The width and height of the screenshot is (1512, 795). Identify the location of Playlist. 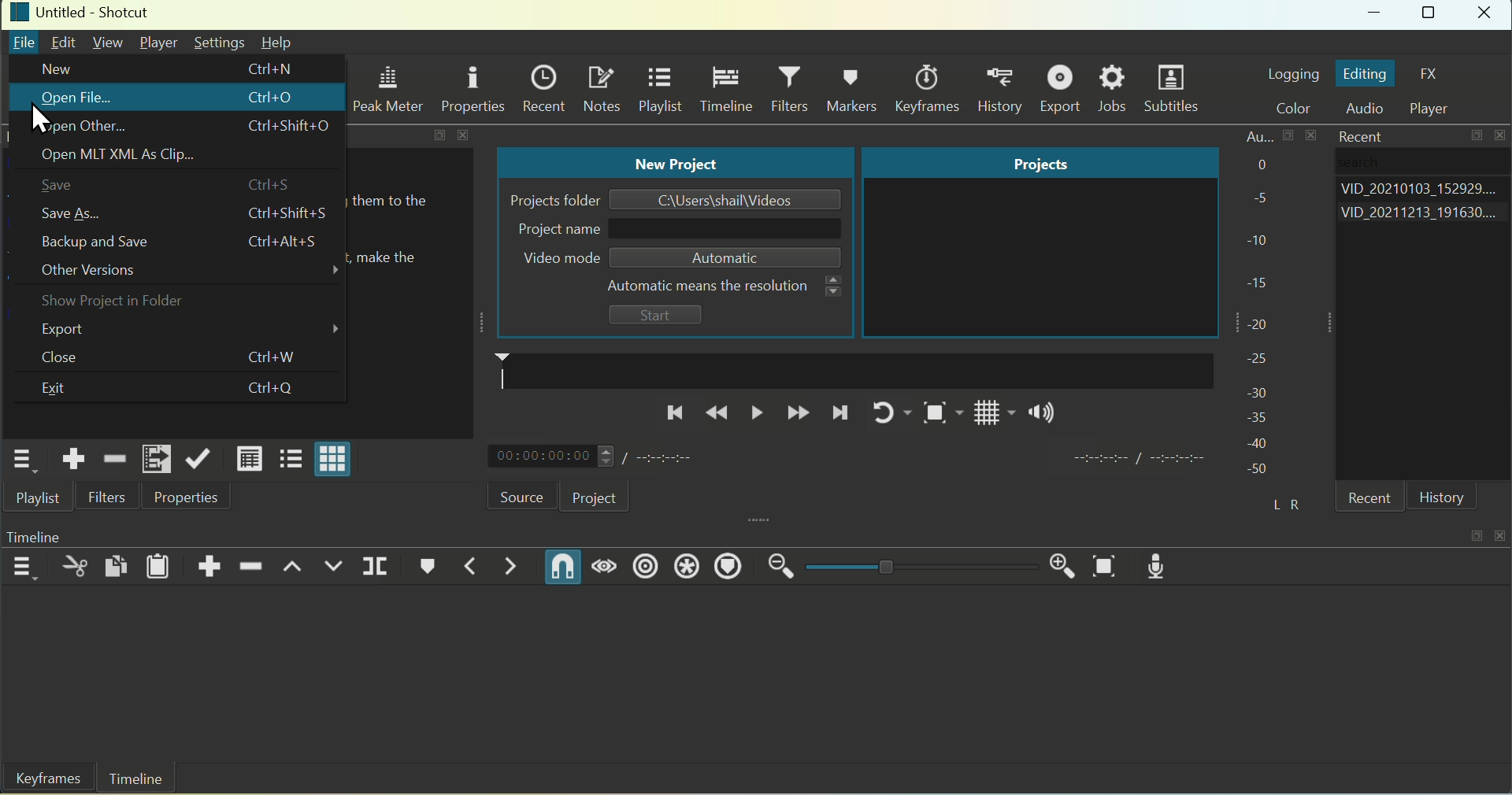
(660, 91).